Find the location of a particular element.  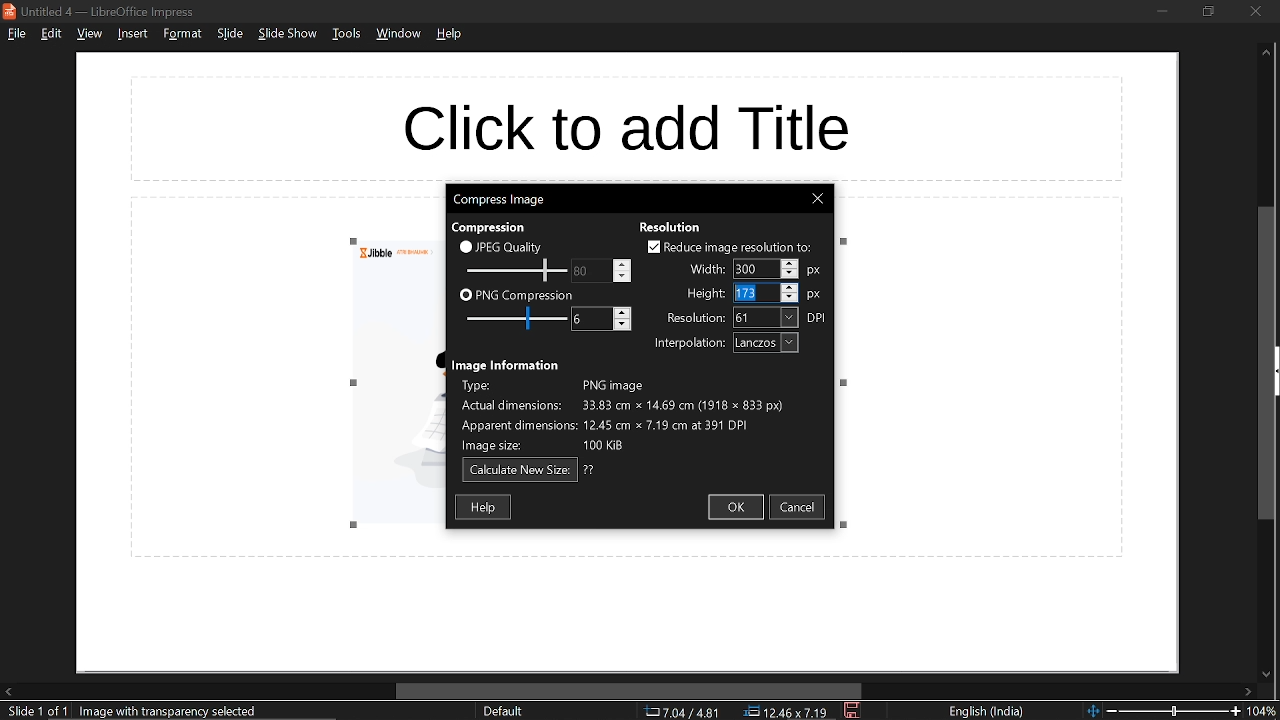

px is located at coordinates (815, 295).